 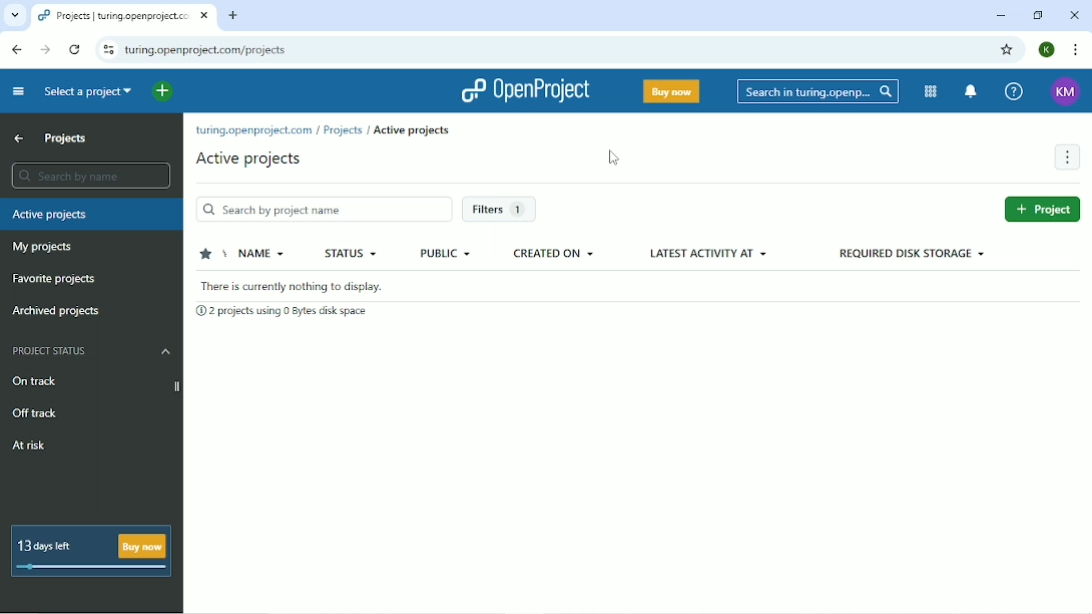 What do you see at coordinates (329, 129) in the screenshot?
I see `turing.openproject.com/projects/active projects` at bounding box center [329, 129].